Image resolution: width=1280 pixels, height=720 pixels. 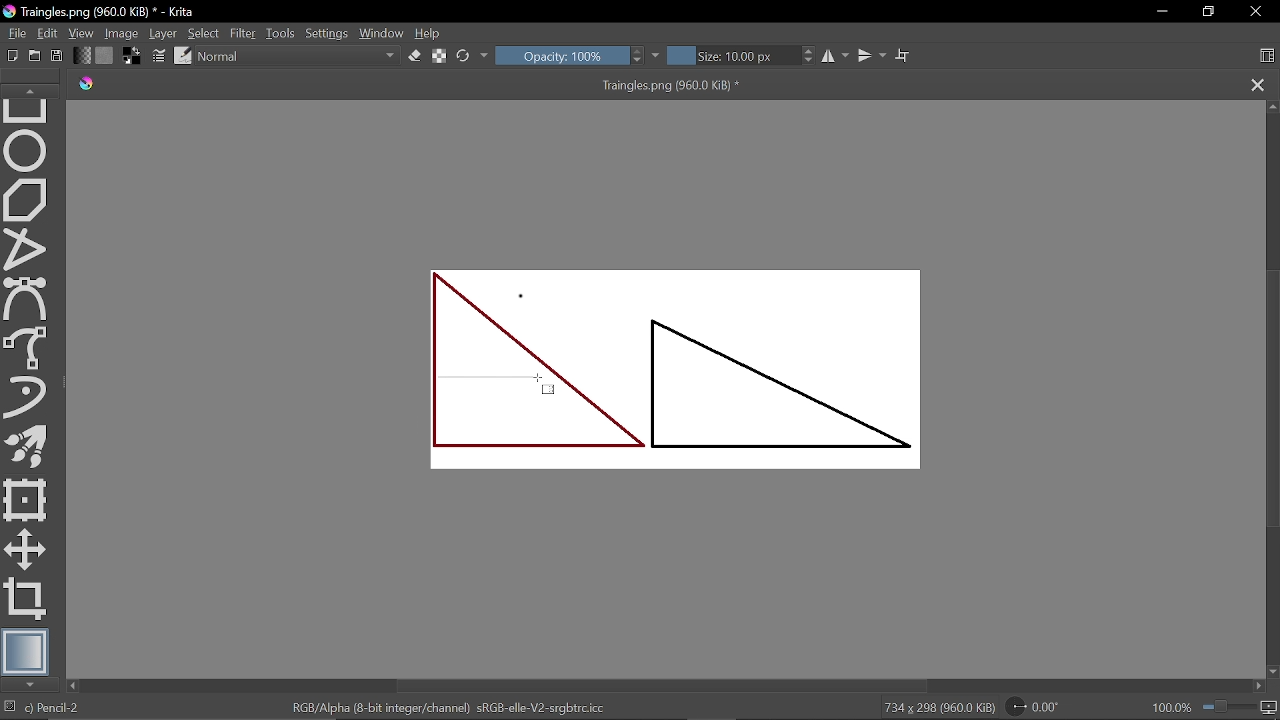 I want to click on Normal, so click(x=298, y=56).